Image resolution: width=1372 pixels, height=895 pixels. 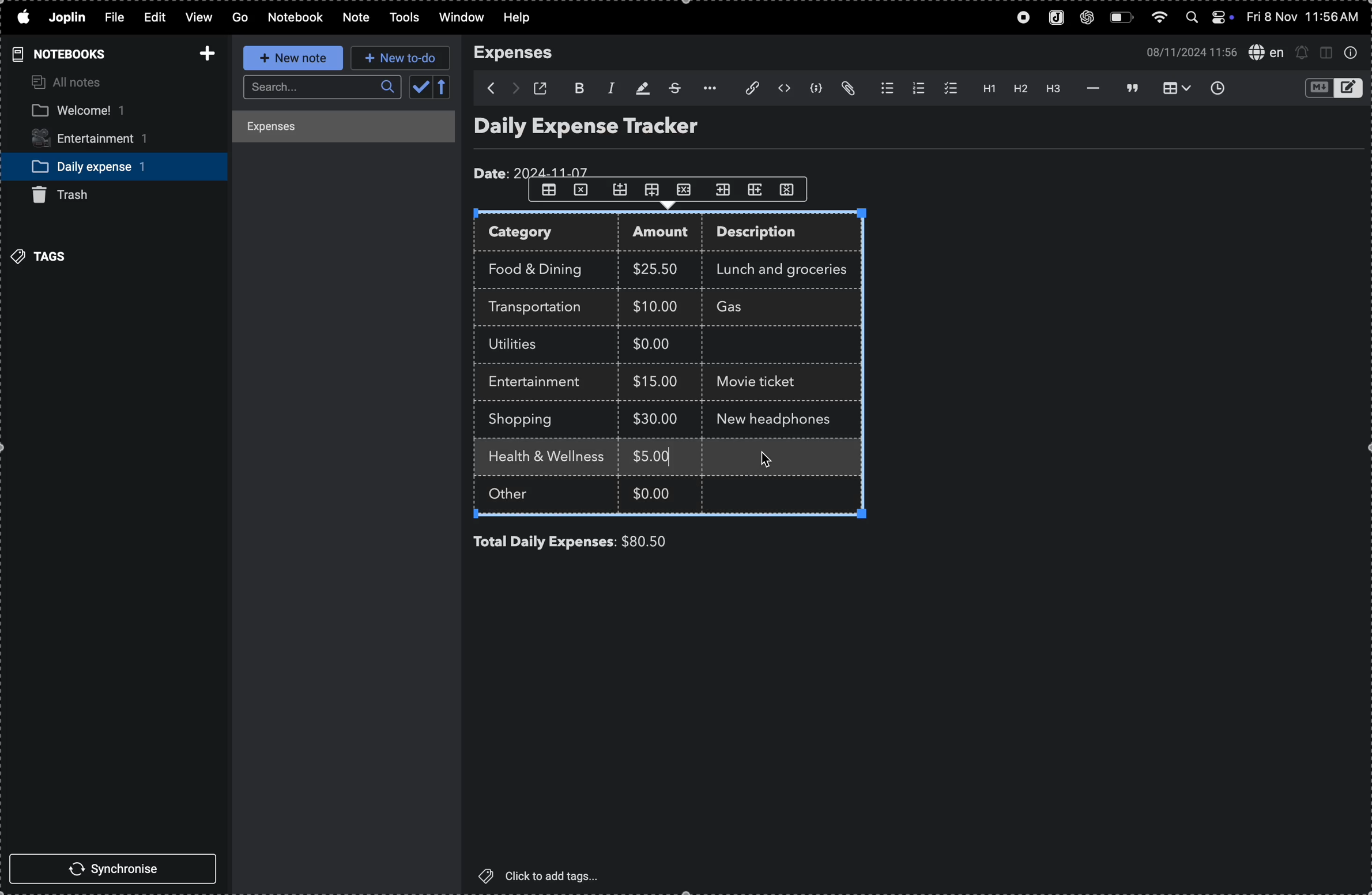 What do you see at coordinates (514, 89) in the screenshot?
I see `forward` at bounding box center [514, 89].